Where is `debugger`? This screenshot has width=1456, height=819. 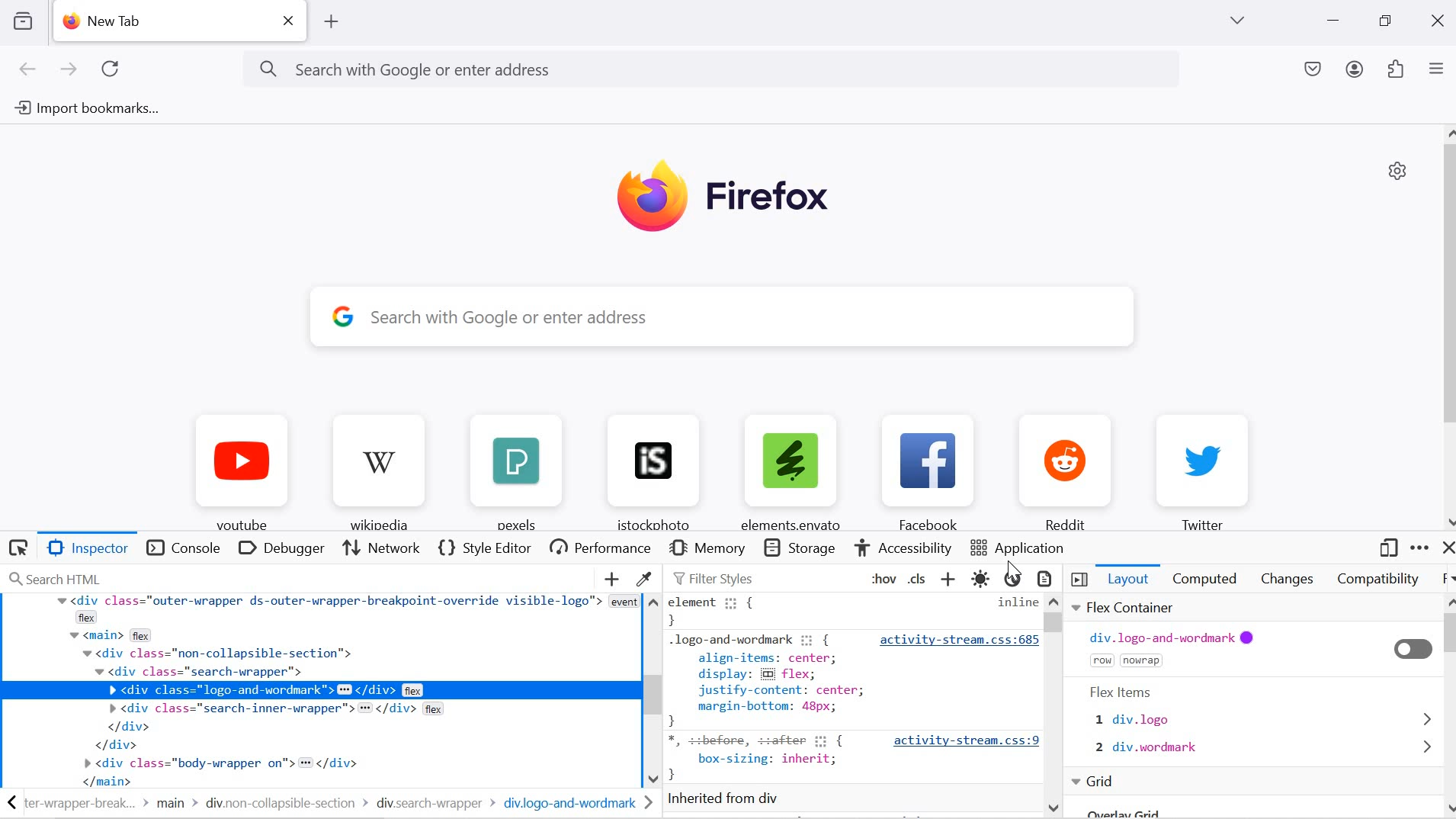 debugger is located at coordinates (283, 548).